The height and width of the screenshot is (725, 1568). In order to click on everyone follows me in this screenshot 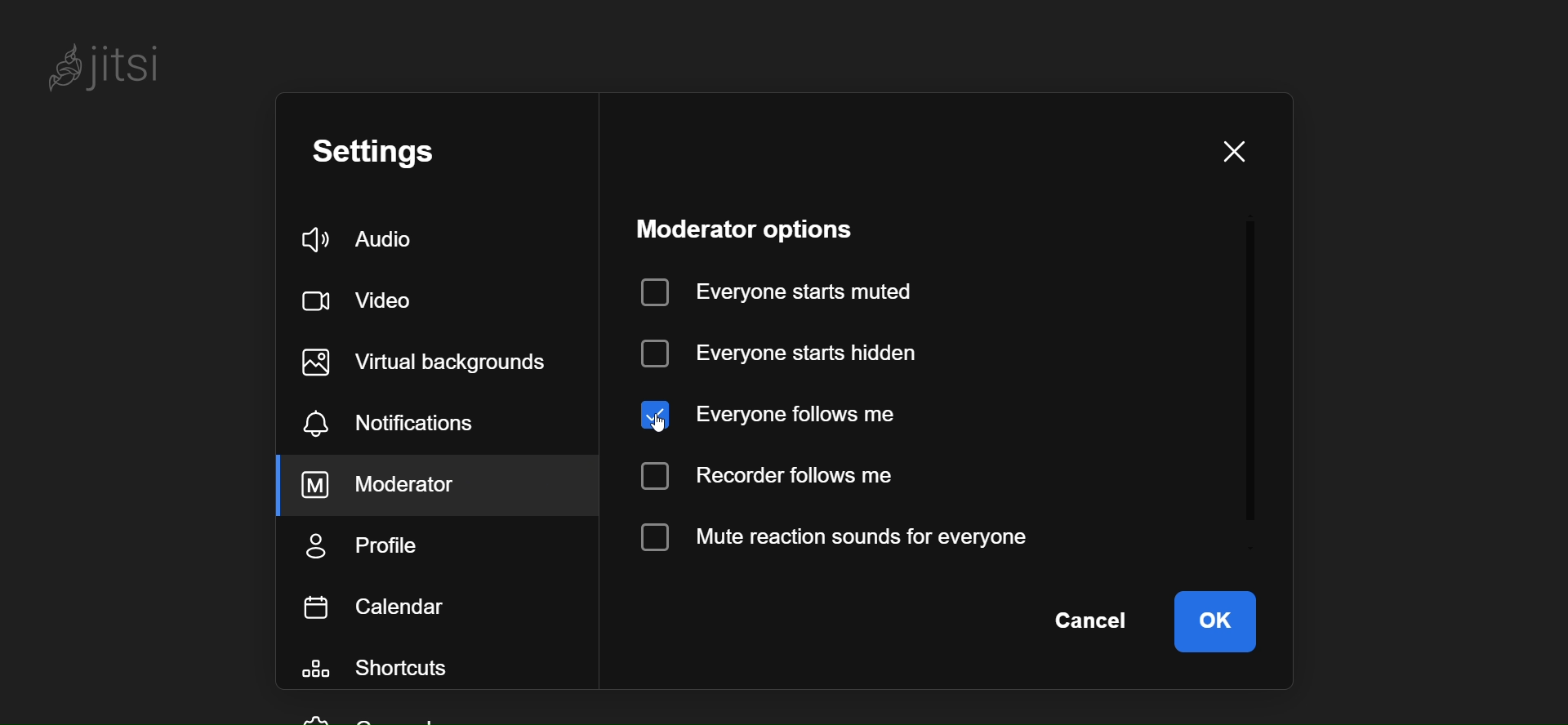, I will do `click(777, 411)`.